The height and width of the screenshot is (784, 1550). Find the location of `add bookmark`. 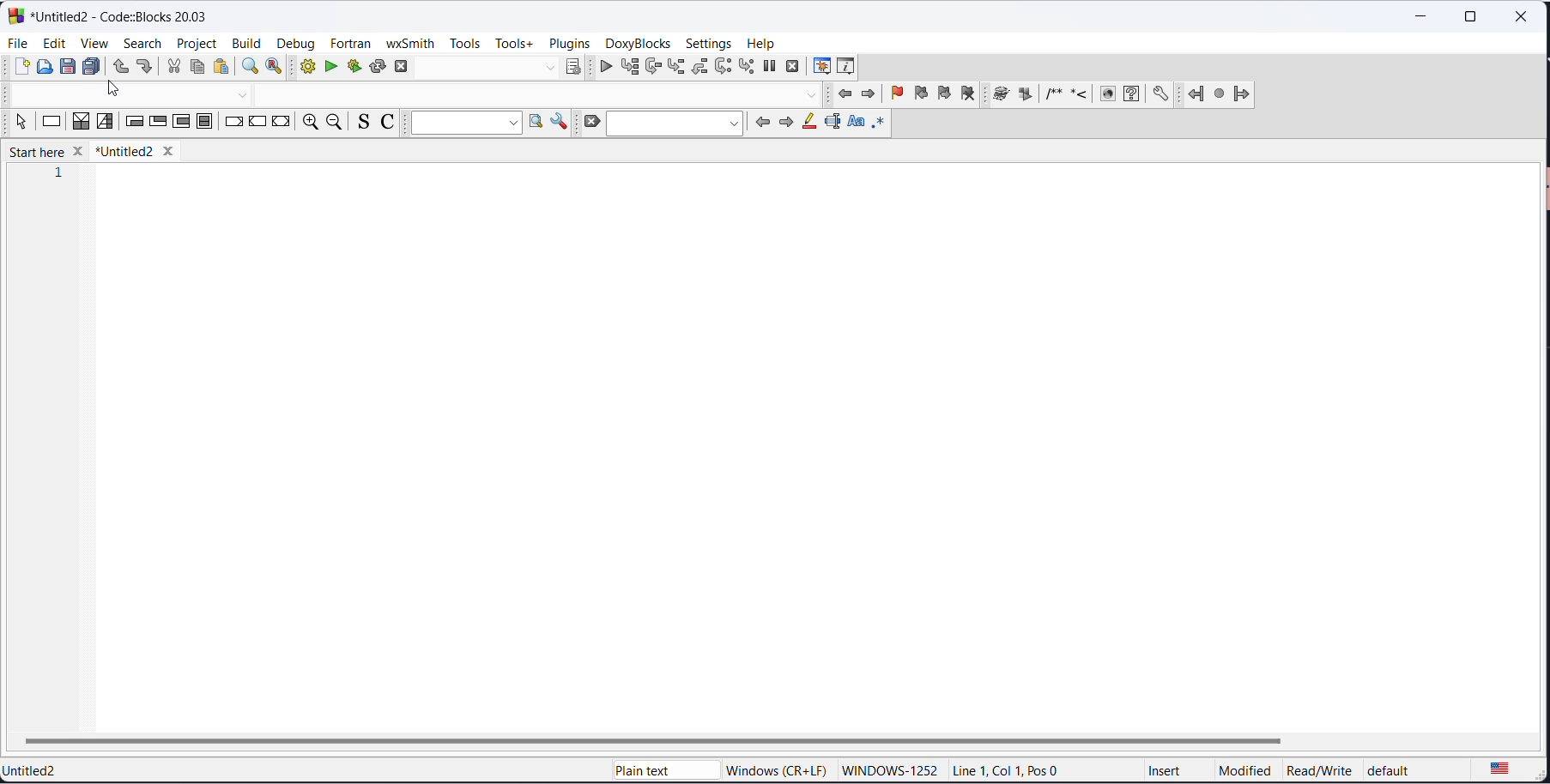

add bookmark is located at coordinates (892, 96).